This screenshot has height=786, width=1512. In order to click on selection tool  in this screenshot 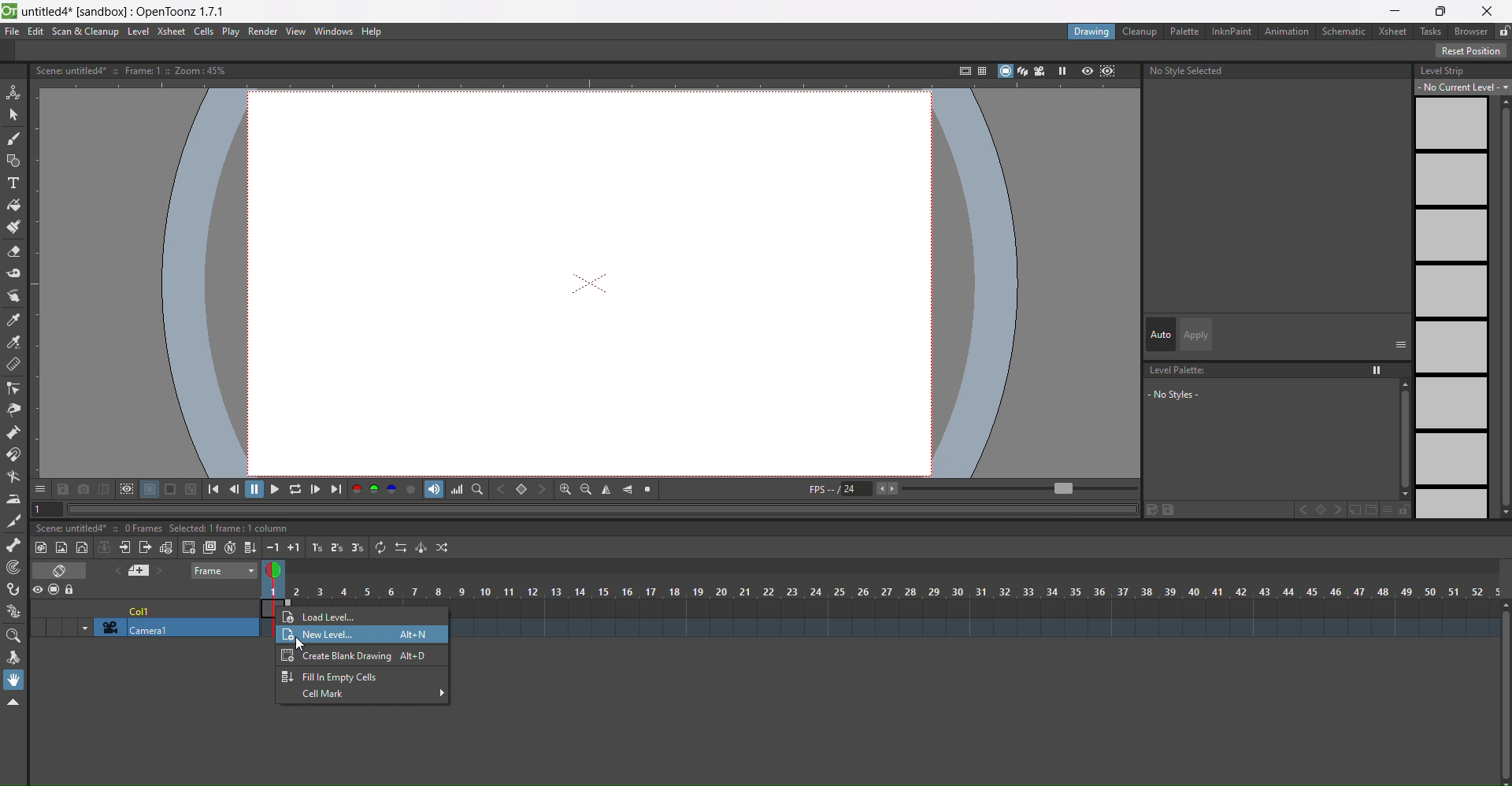, I will do `click(13, 115)`.